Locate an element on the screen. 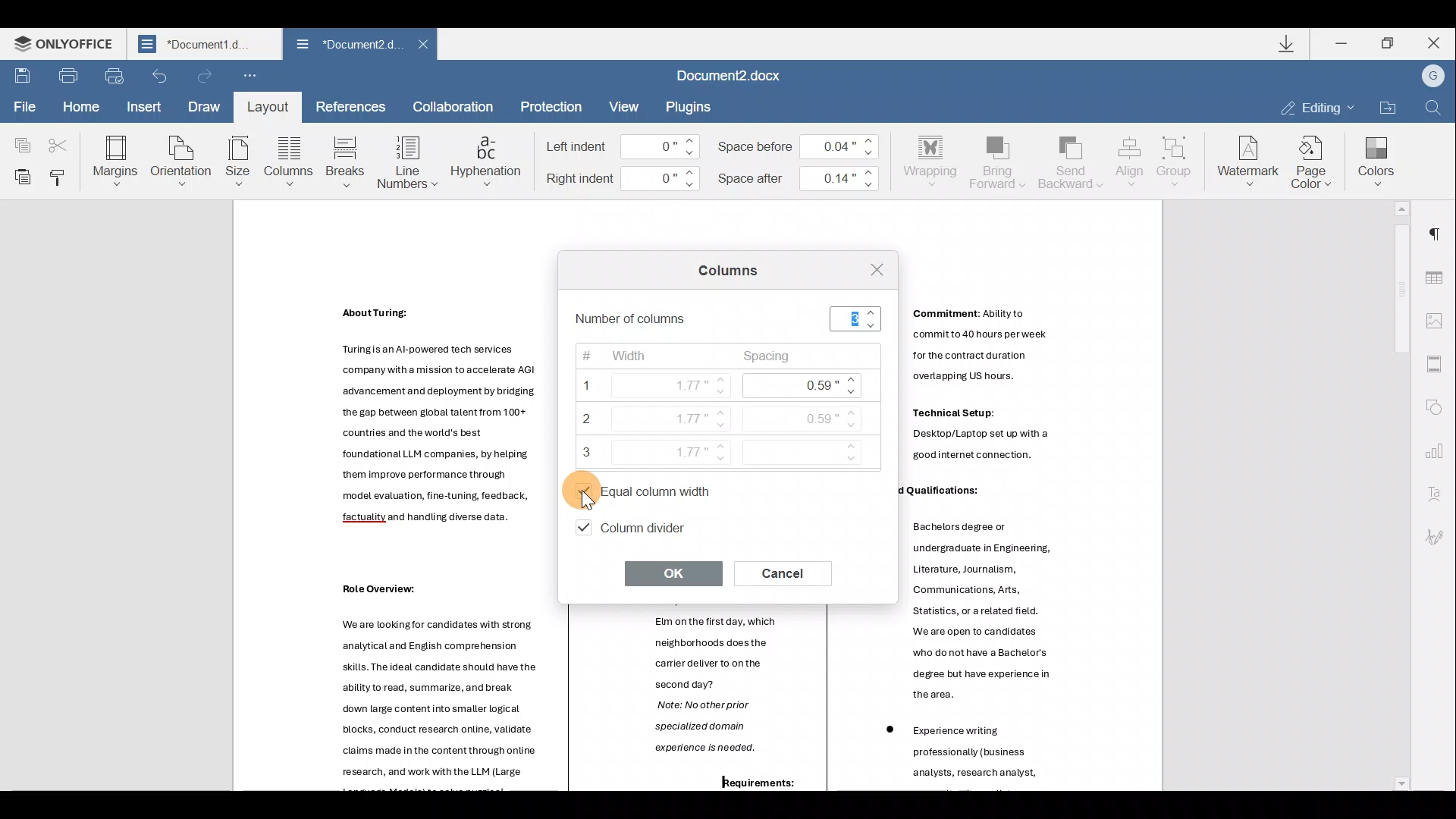 This screenshot has height=819, width=1456. Copy style is located at coordinates (60, 174).